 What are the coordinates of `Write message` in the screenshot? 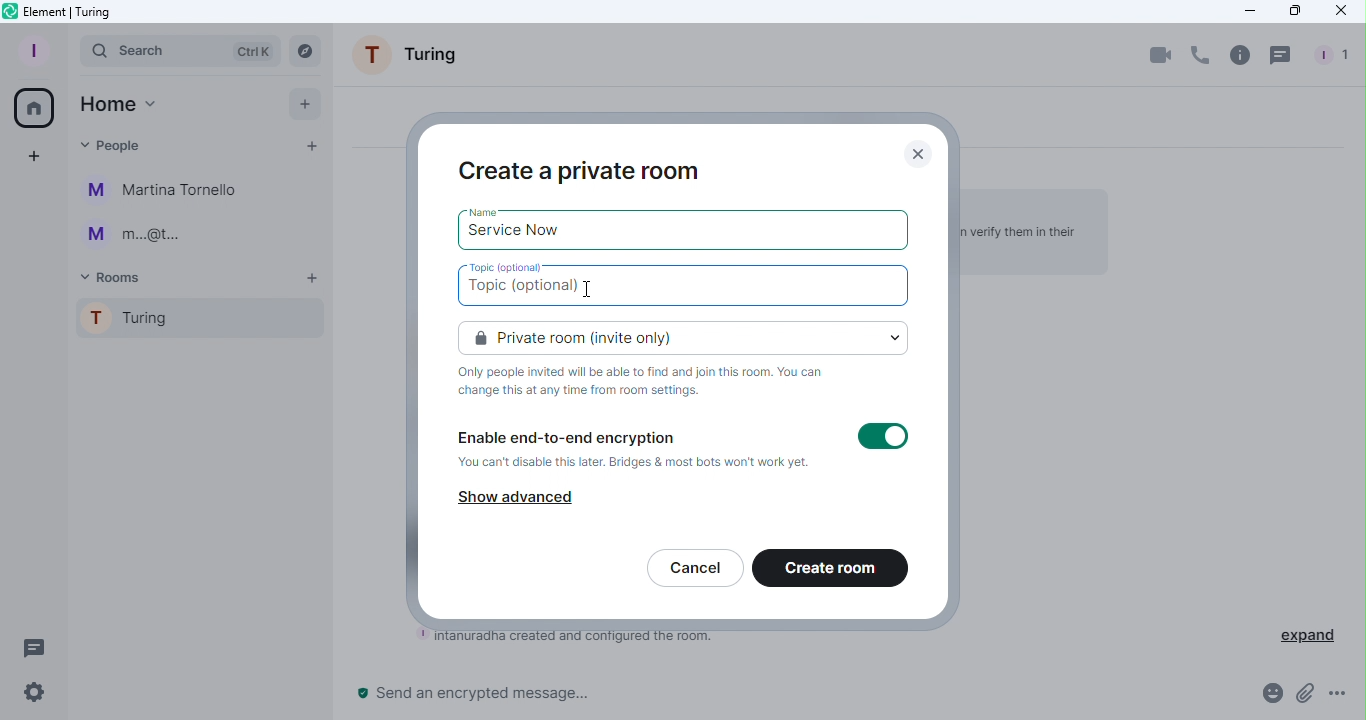 It's located at (793, 697).